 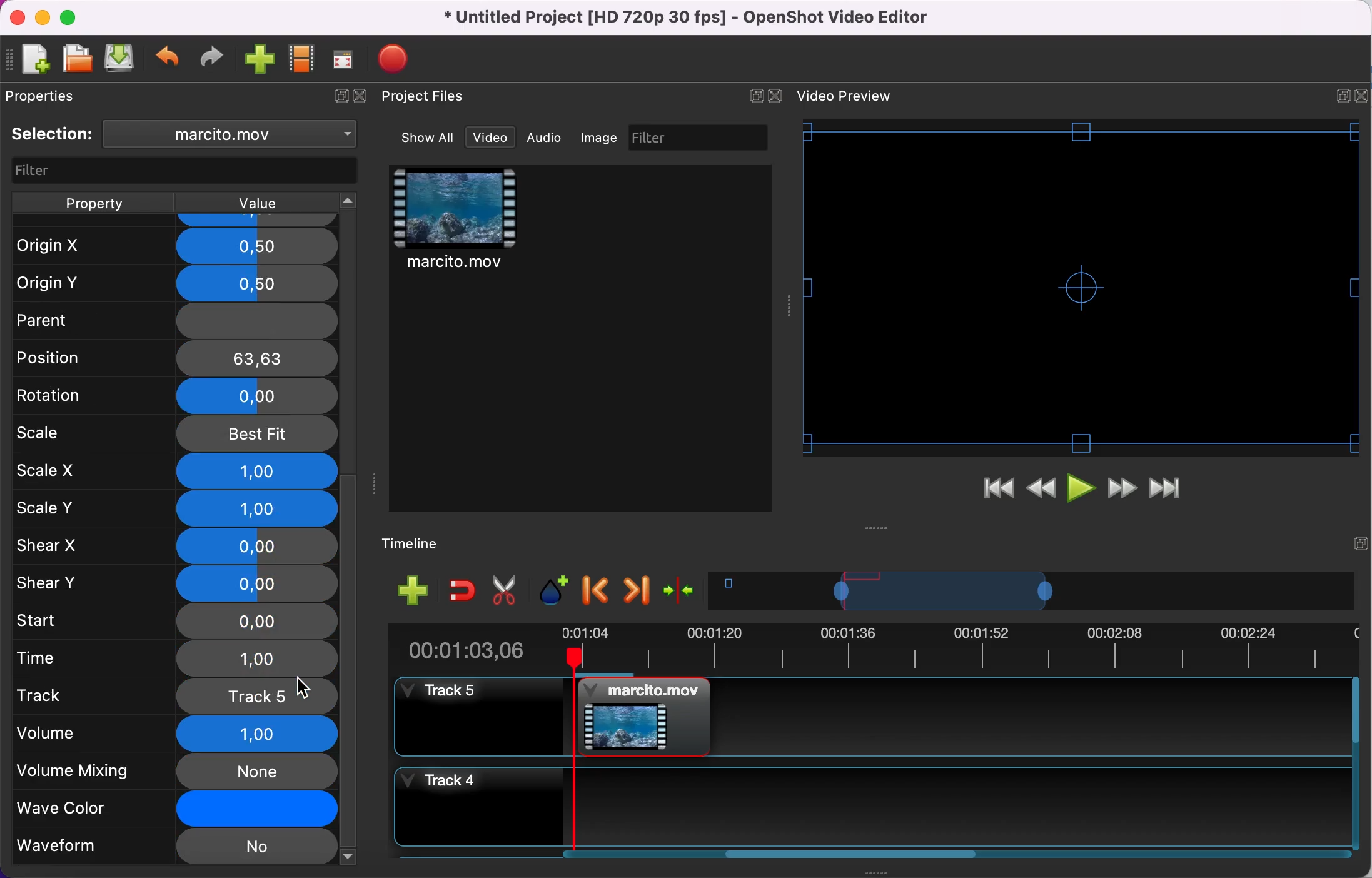 I want to click on properties, so click(x=46, y=96).